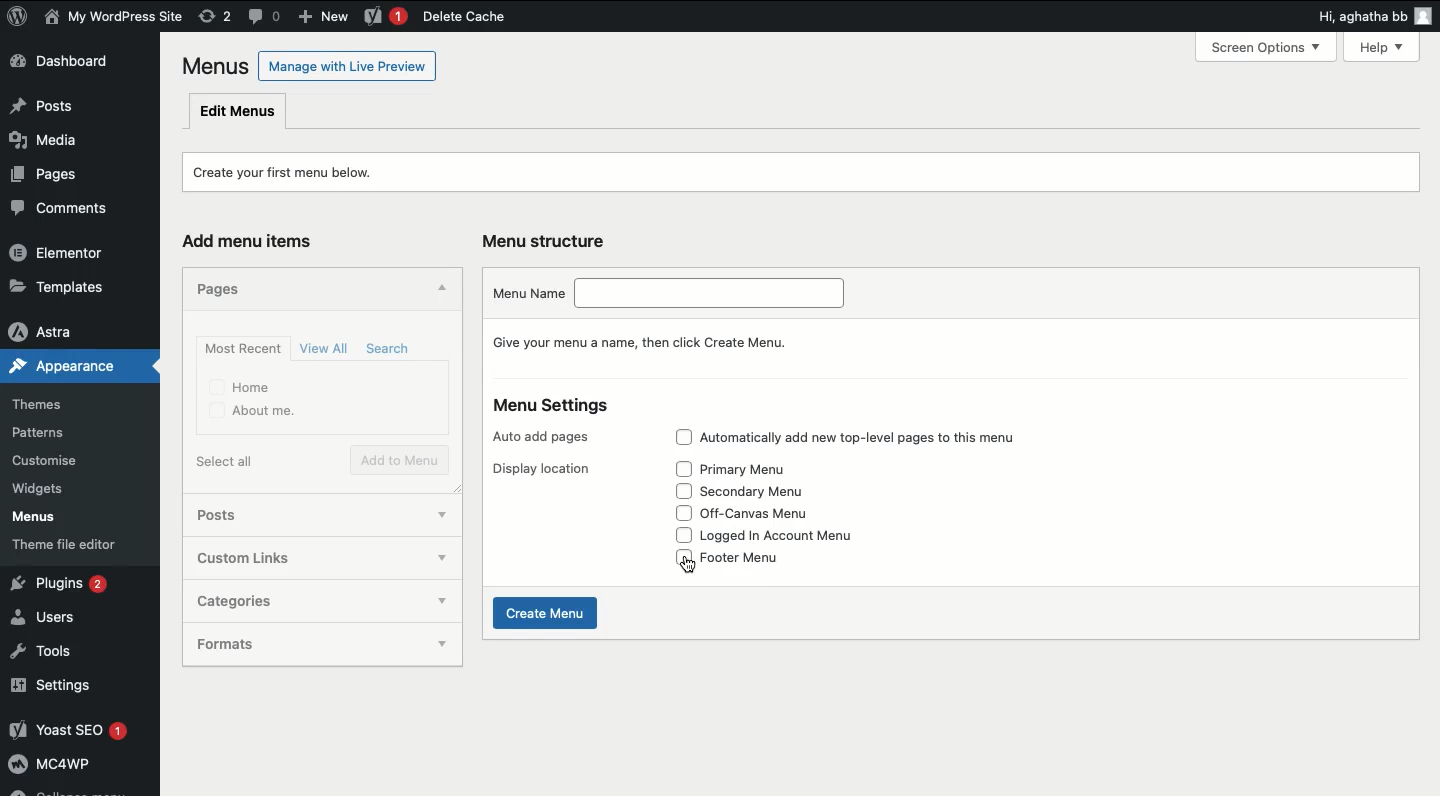 The width and height of the screenshot is (1440, 796). Describe the element at coordinates (754, 469) in the screenshot. I see `Primary menu` at that location.